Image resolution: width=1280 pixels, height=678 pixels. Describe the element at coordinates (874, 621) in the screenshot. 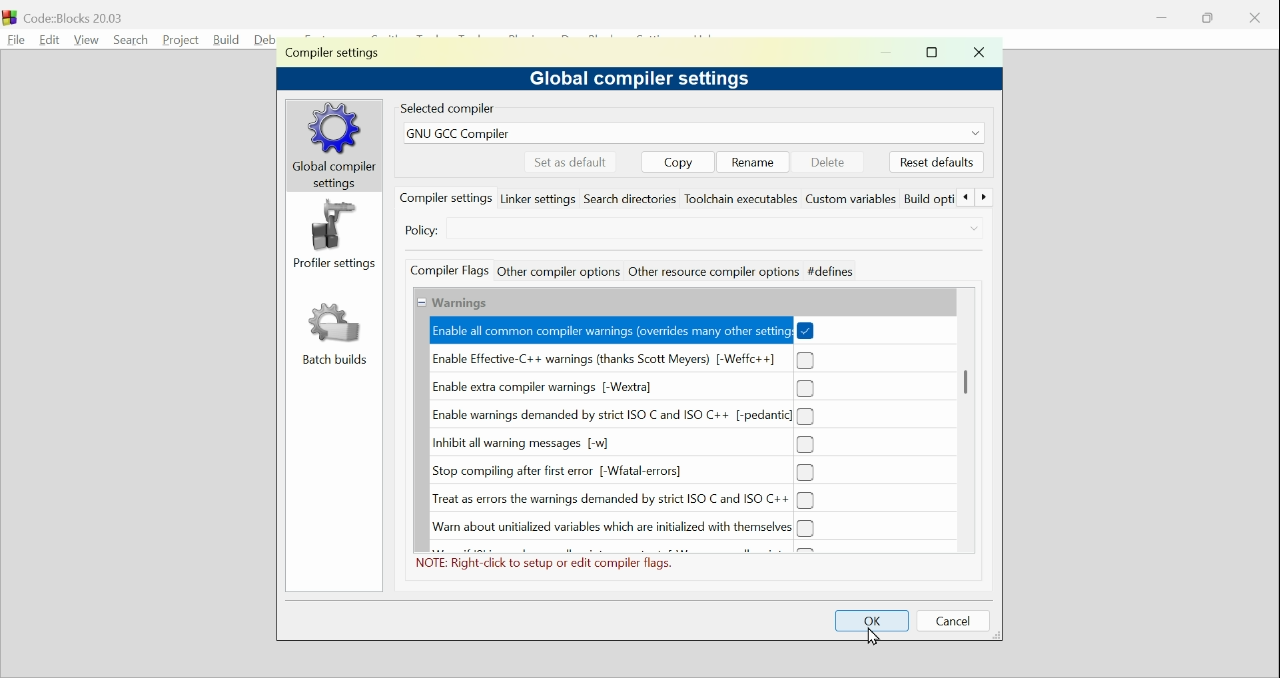

I see `OK` at that location.